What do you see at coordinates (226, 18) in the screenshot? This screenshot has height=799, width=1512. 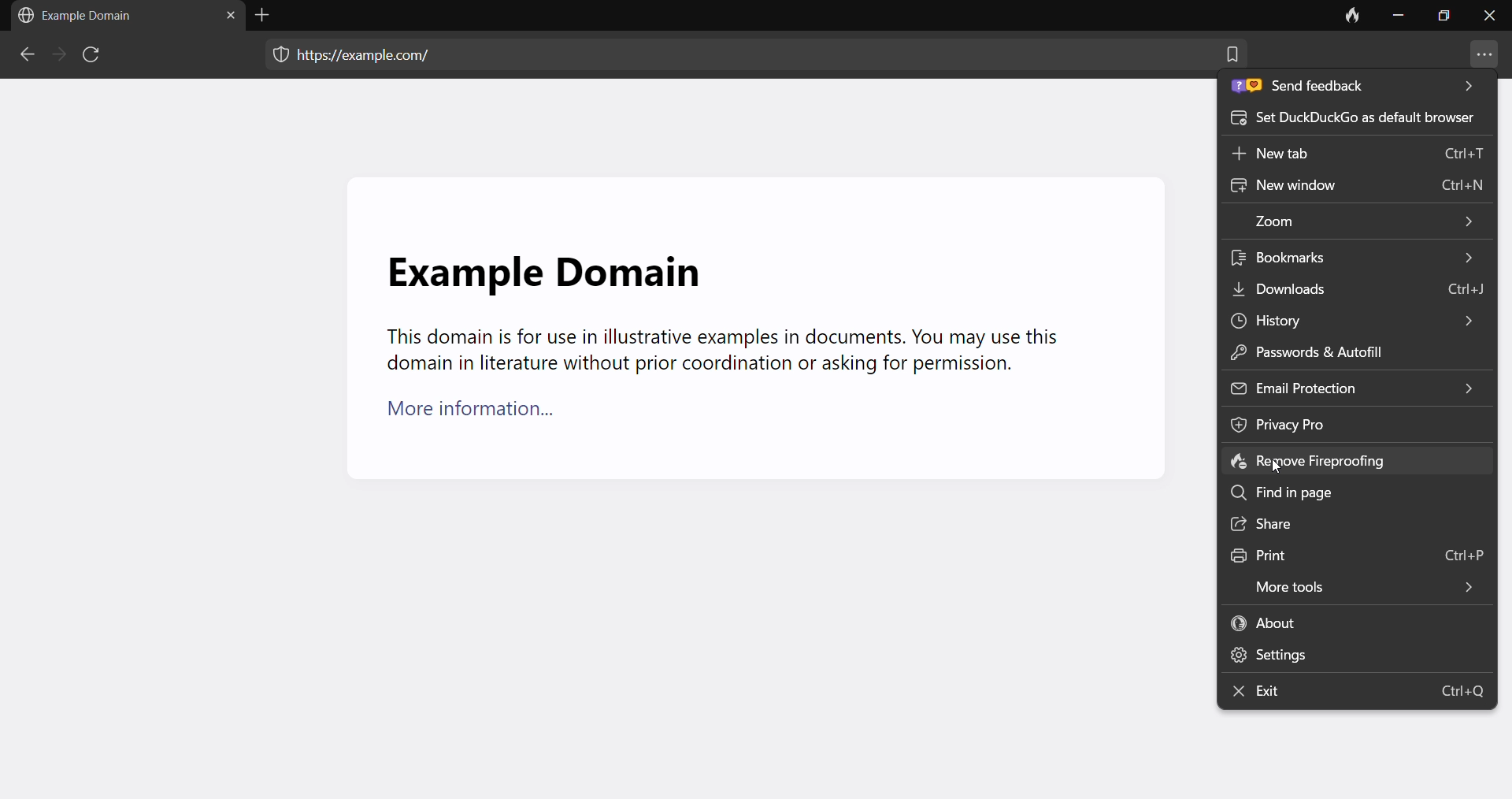 I see `close tab` at bounding box center [226, 18].